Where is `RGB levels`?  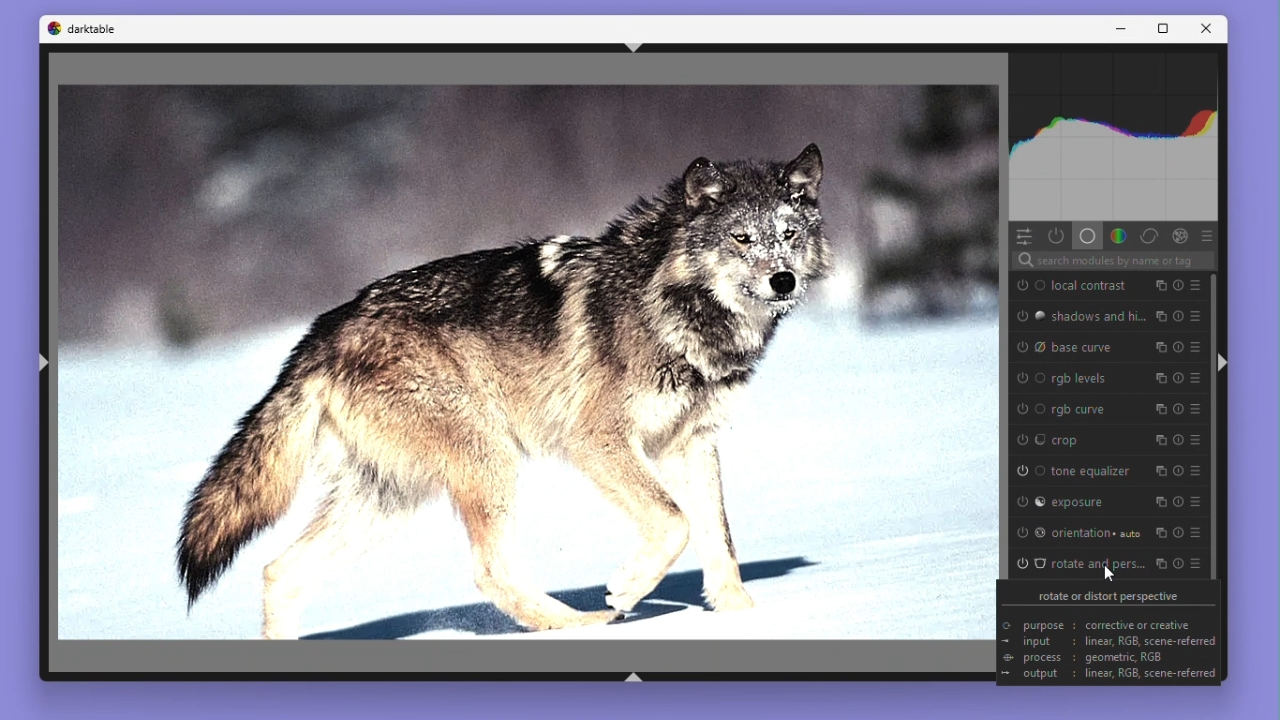 RGB levels is located at coordinates (1106, 381).